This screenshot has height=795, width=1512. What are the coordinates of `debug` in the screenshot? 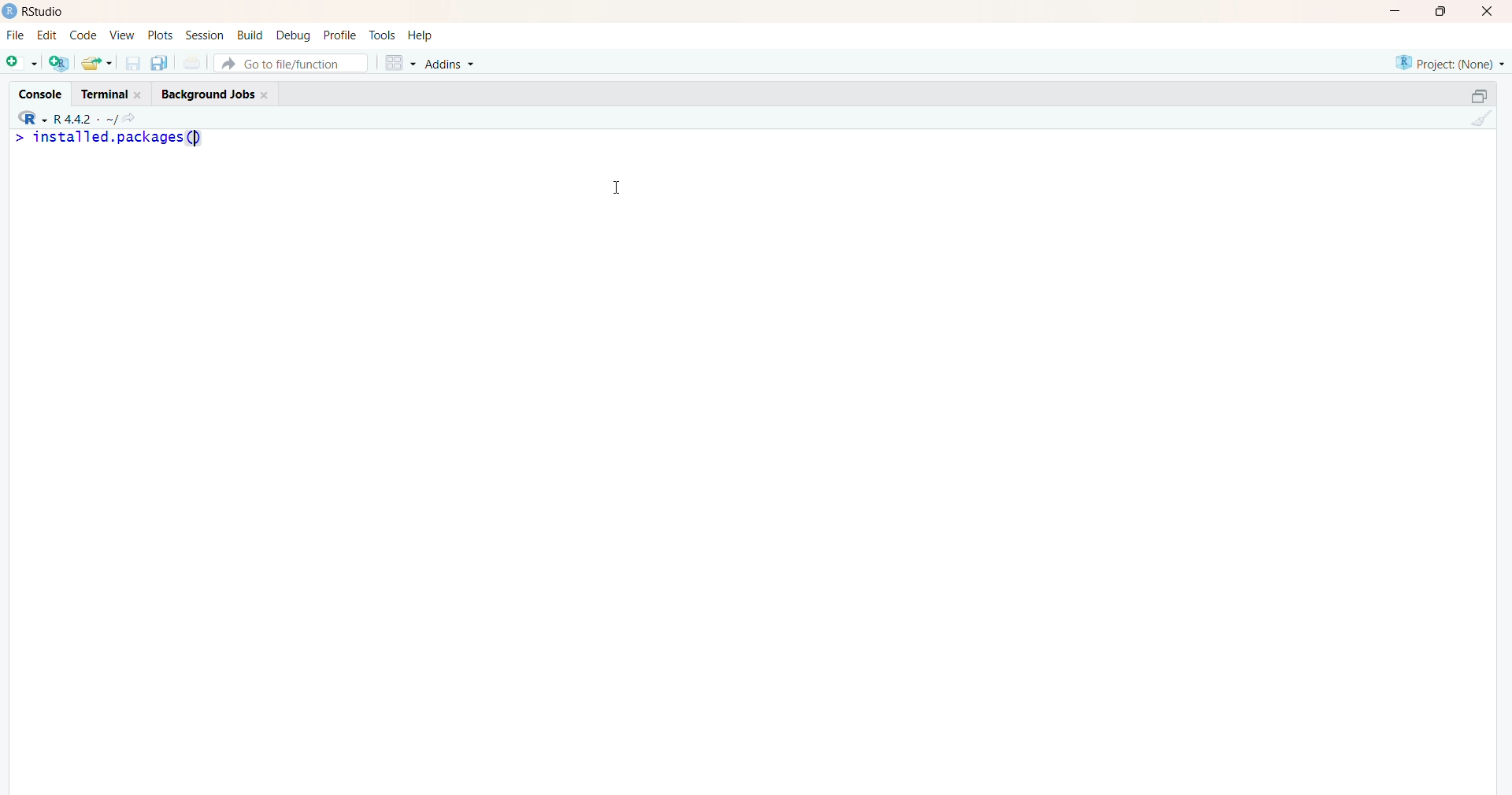 It's located at (294, 35).